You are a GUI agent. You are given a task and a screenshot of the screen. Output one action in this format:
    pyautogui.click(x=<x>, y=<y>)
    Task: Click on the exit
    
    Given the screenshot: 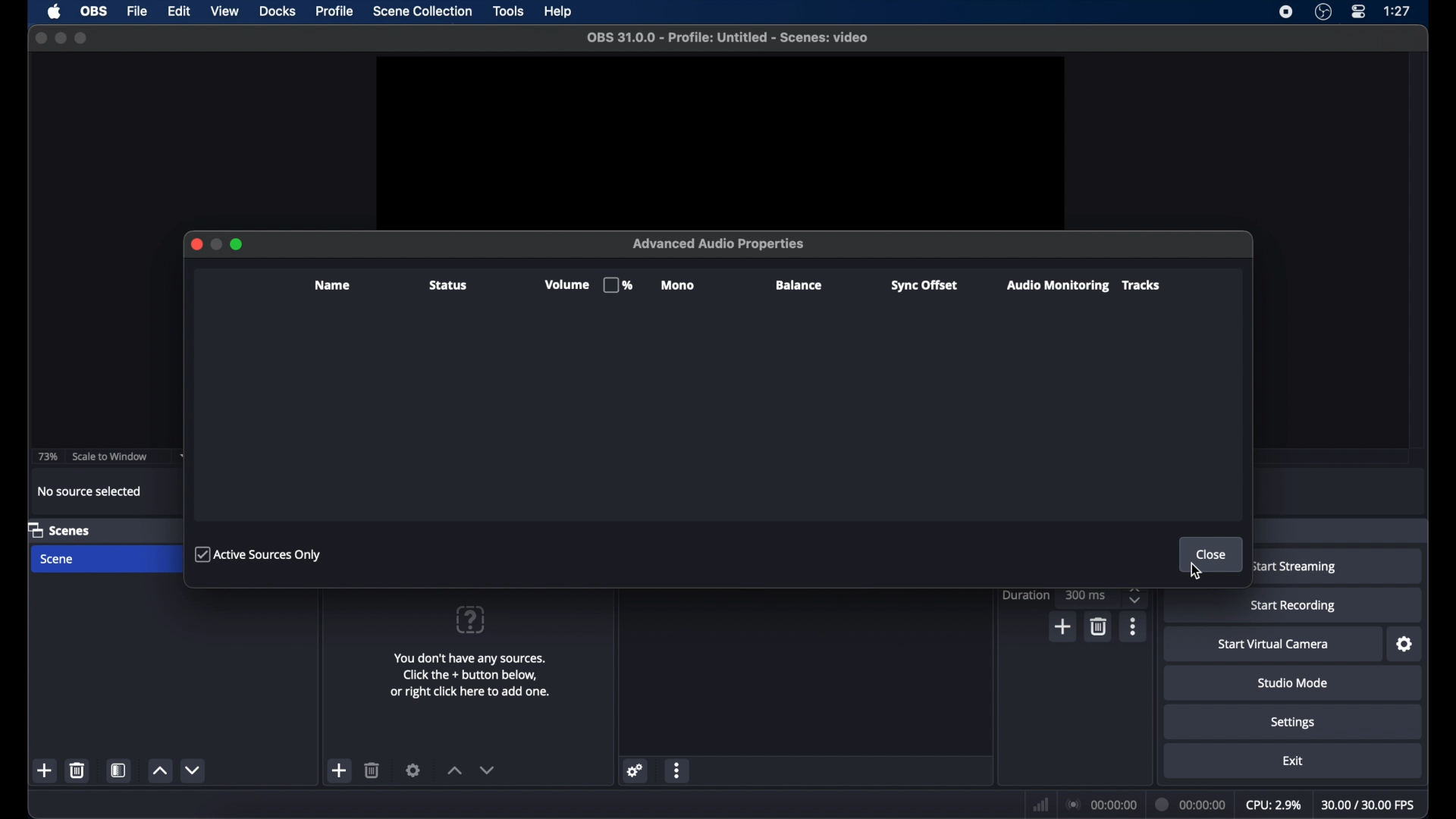 What is the action you would take?
    pyautogui.click(x=1292, y=761)
    